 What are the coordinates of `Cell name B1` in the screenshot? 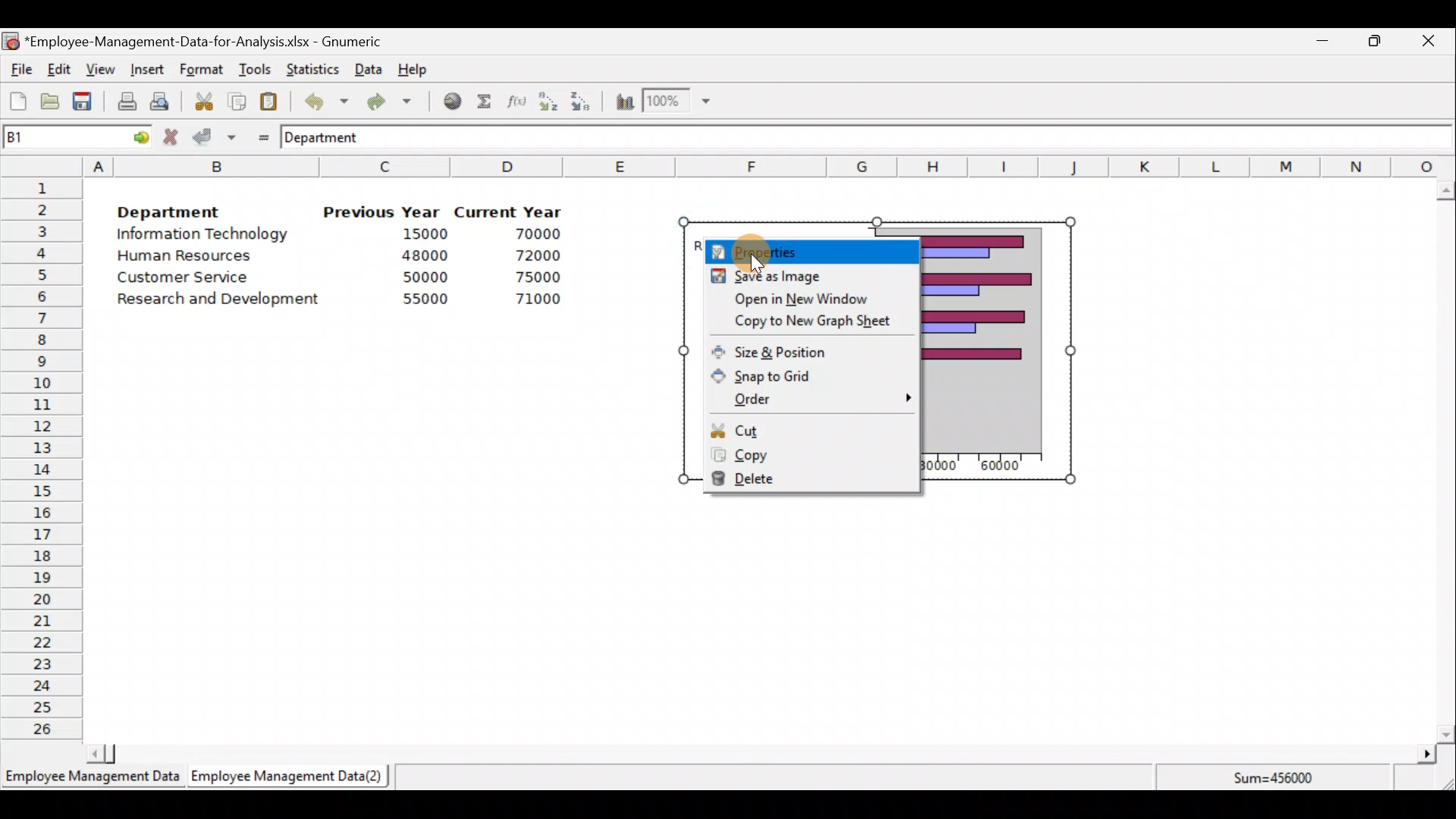 It's located at (50, 136).